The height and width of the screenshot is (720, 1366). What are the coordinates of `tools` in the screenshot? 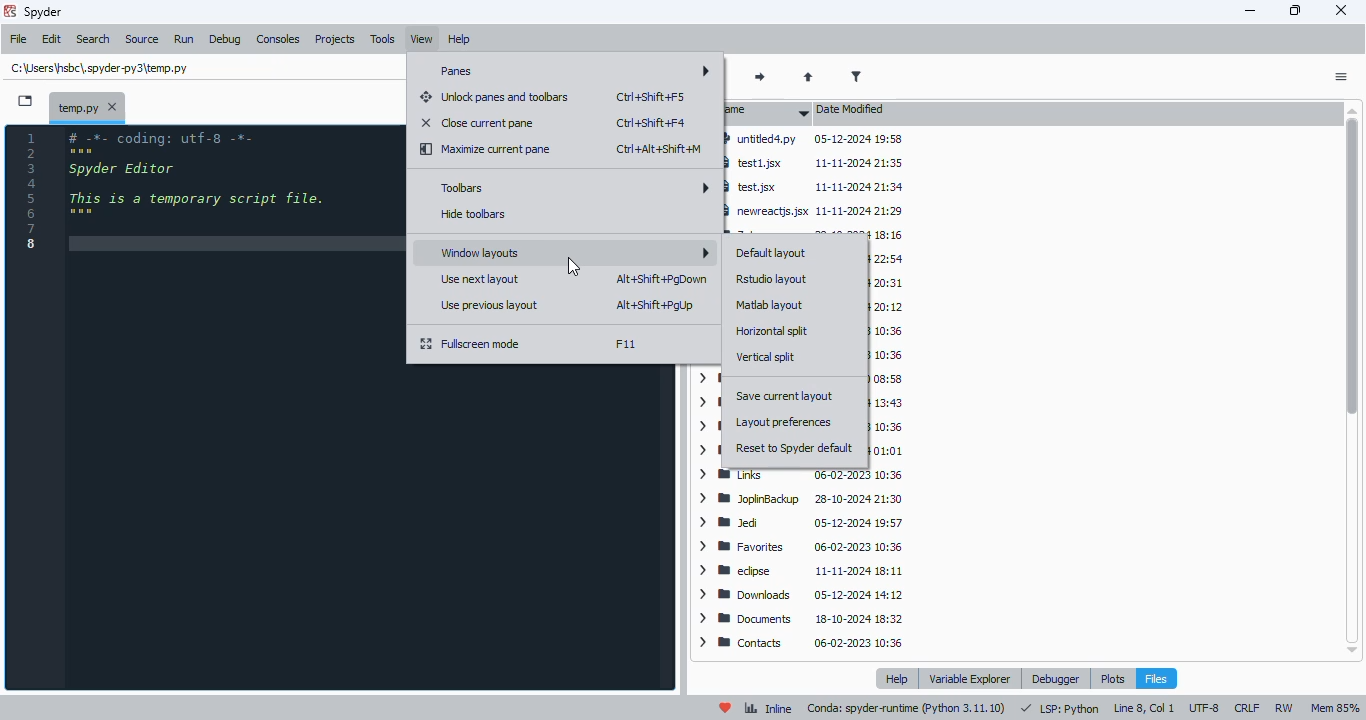 It's located at (383, 39).